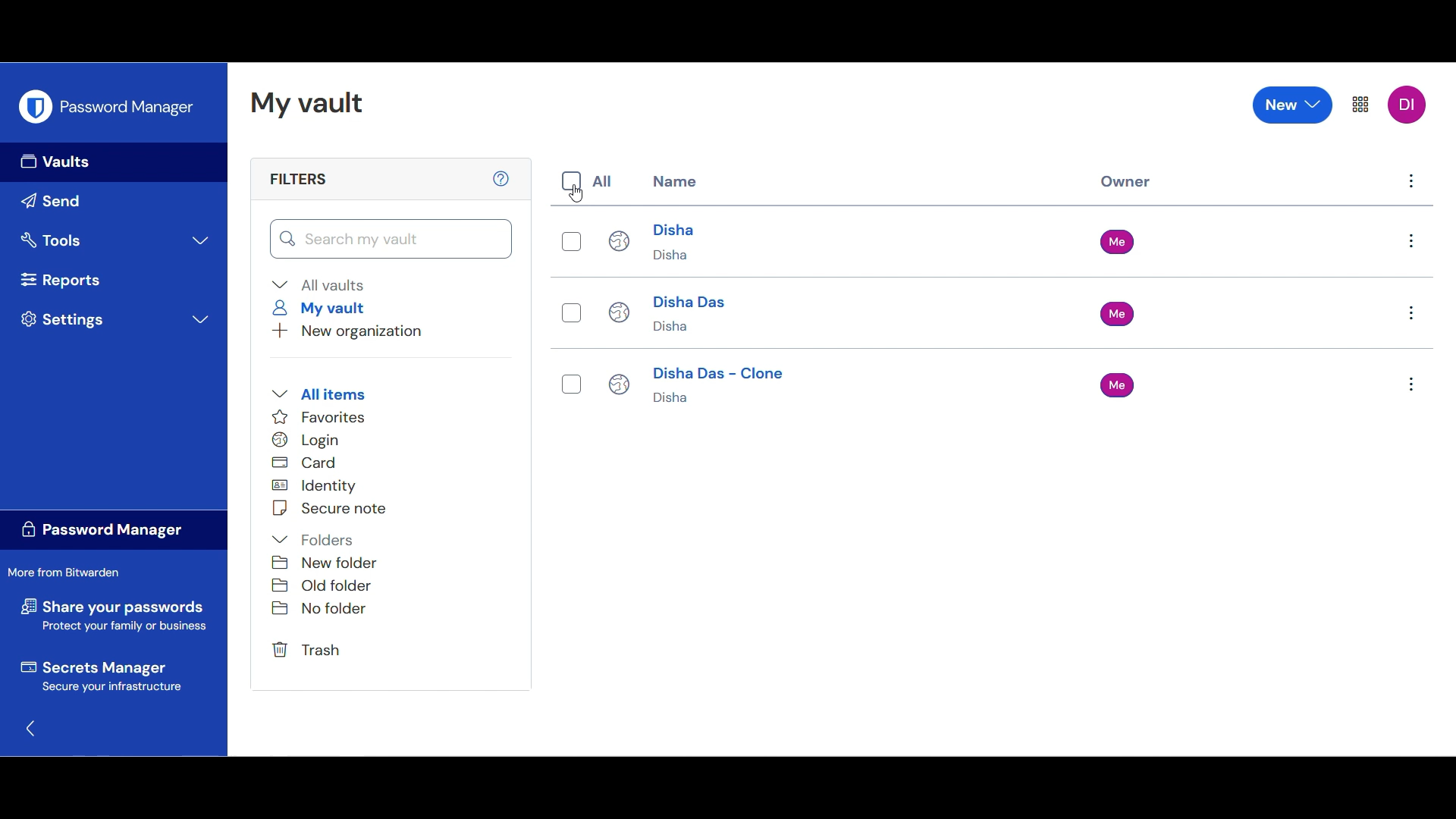 The height and width of the screenshot is (819, 1456). What do you see at coordinates (1118, 314) in the screenshot?
I see `Me` at bounding box center [1118, 314].